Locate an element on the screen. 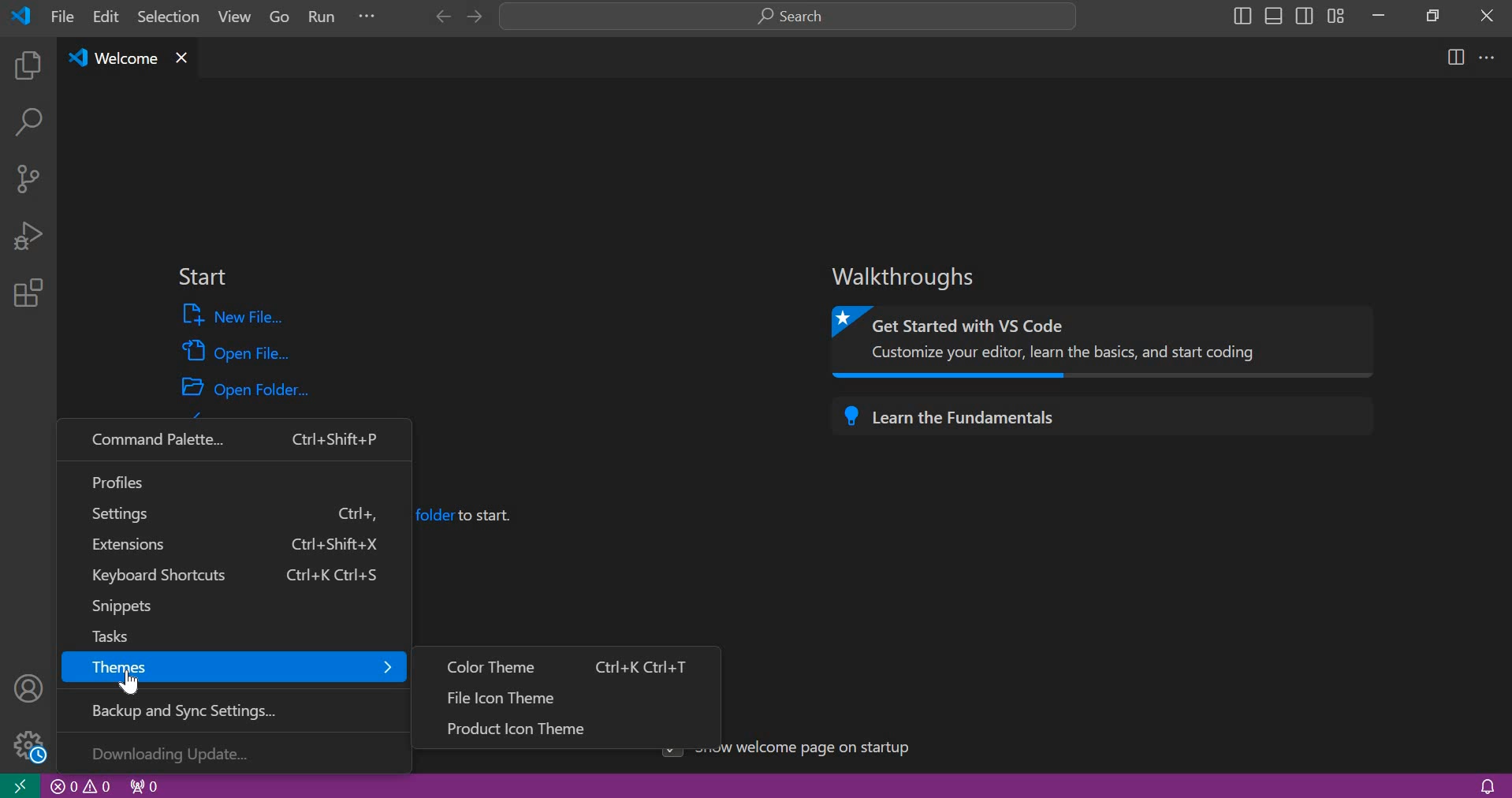 This screenshot has height=798, width=1512. get started with VS Code is located at coordinates (1107, 342).